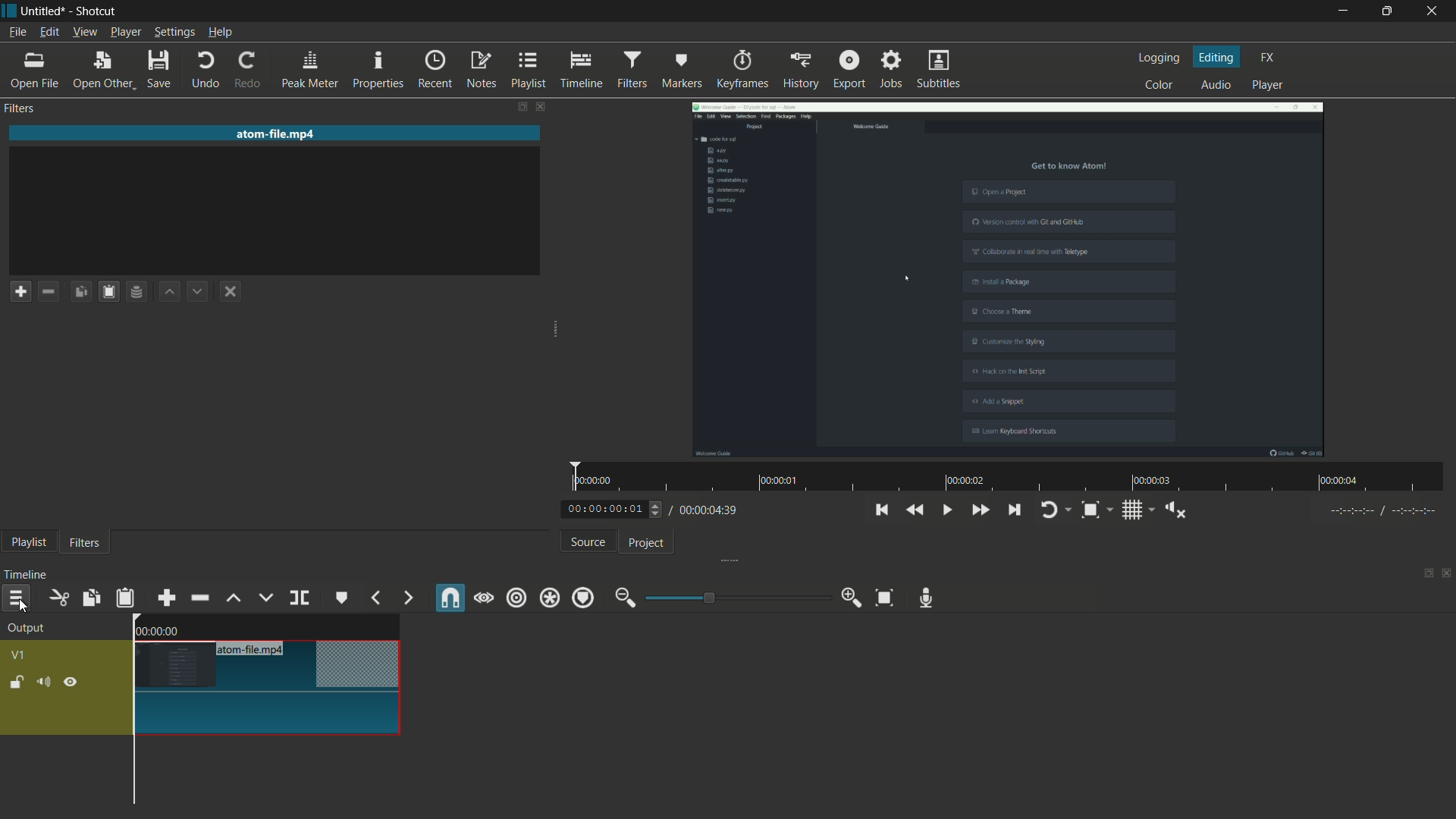  Describe the element at coordinates (233, 598) in the screenshot. I see `lift` at that location.